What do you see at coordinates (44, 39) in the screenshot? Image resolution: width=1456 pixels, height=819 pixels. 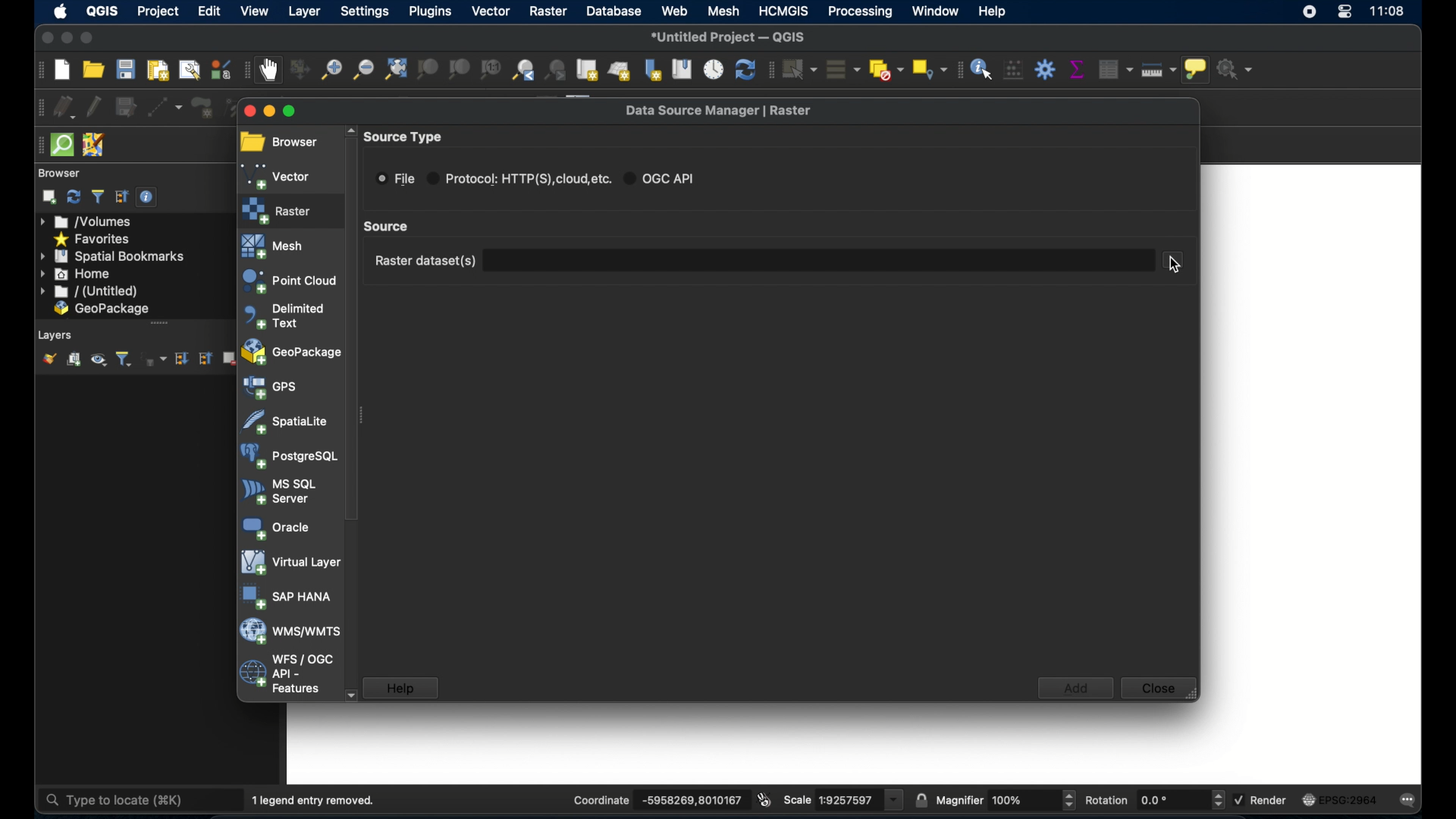 I see `close` at bounding box center [44, 39].